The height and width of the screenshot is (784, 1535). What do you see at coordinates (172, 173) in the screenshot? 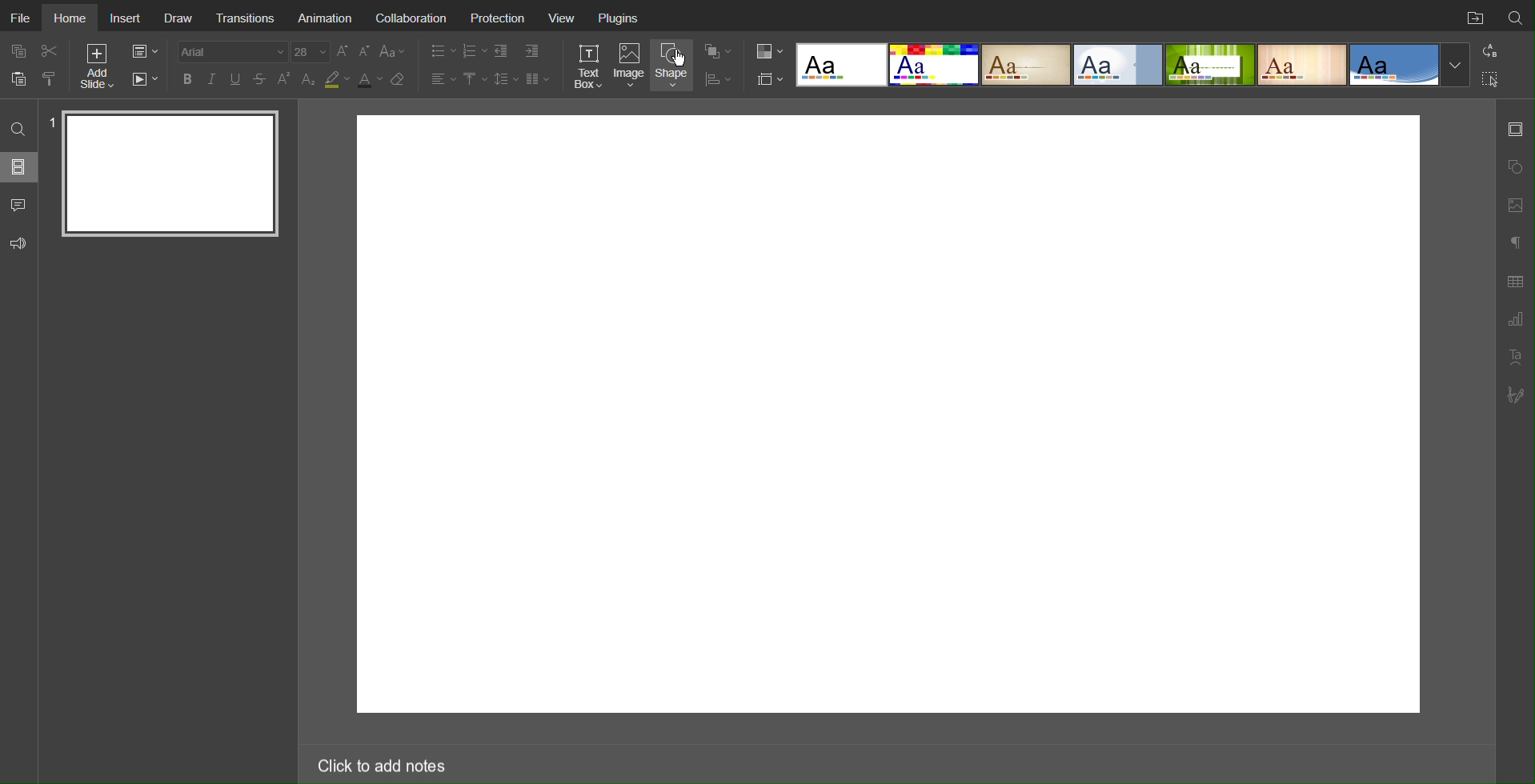
I see `Slide 1` at bounding box center [172, 173].